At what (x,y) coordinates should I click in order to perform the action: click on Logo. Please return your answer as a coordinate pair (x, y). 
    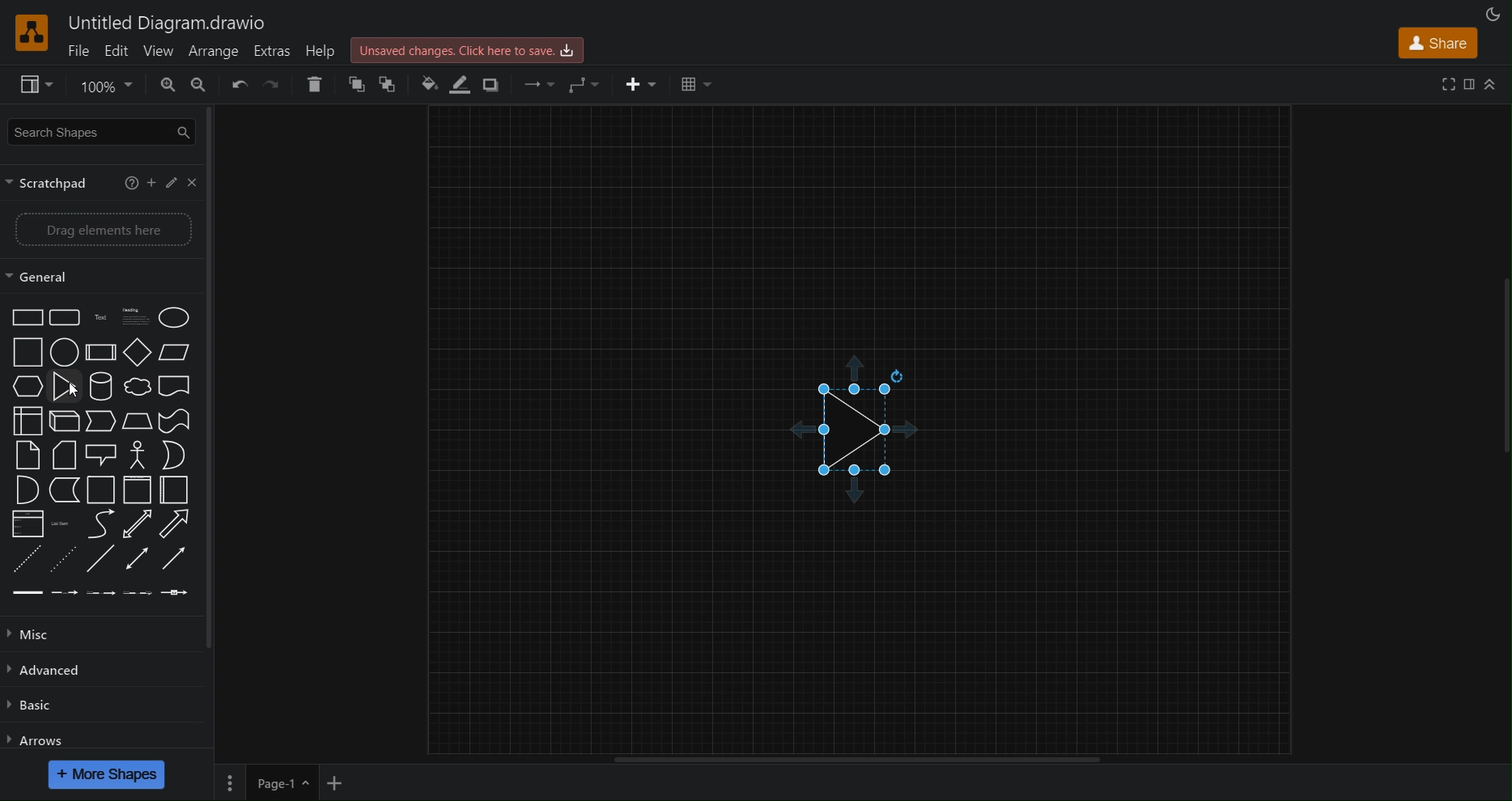
    Looking at the image, I should click on (35, 32).